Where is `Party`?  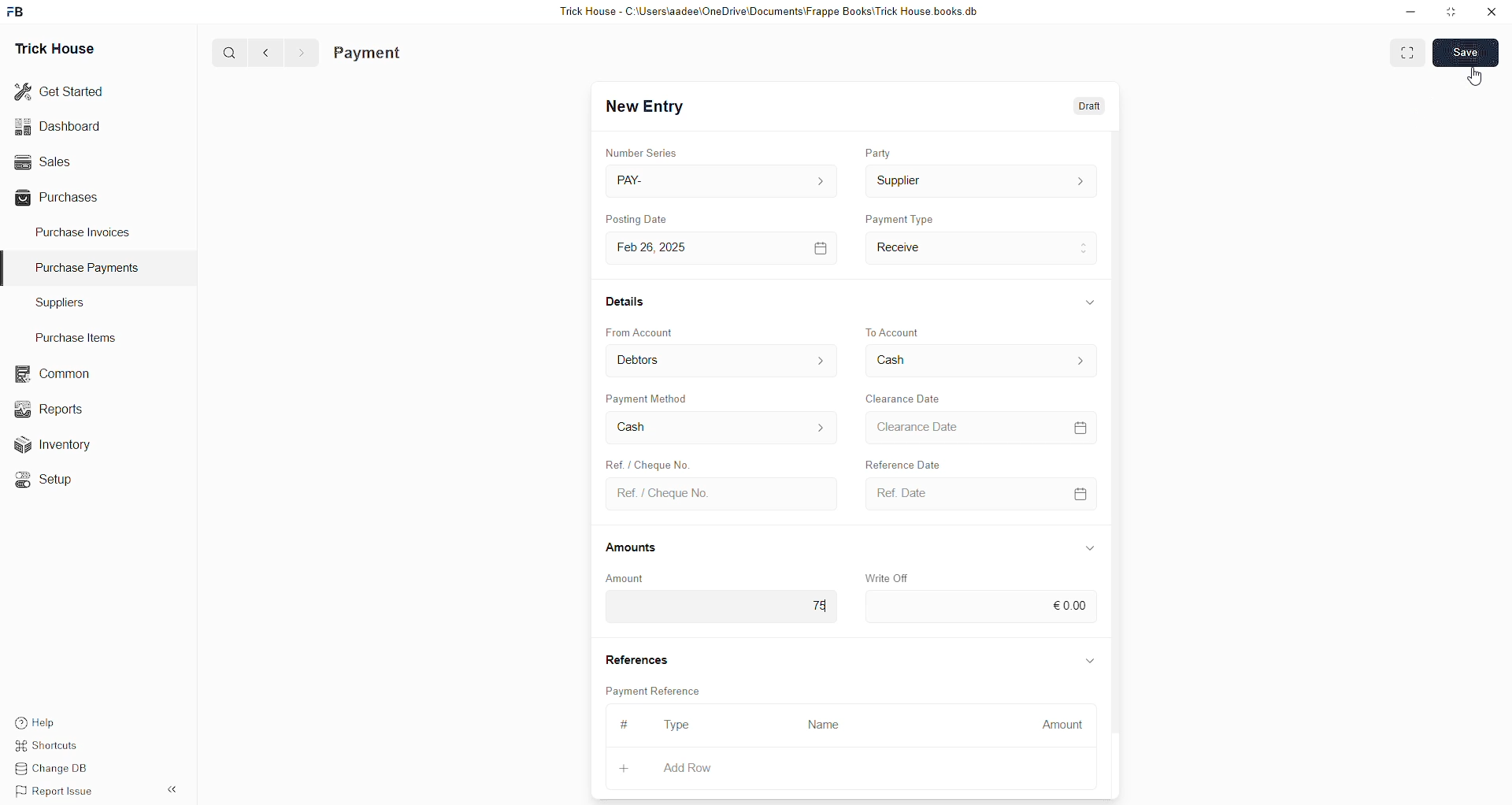 Party is located at coordinates (880, 154).